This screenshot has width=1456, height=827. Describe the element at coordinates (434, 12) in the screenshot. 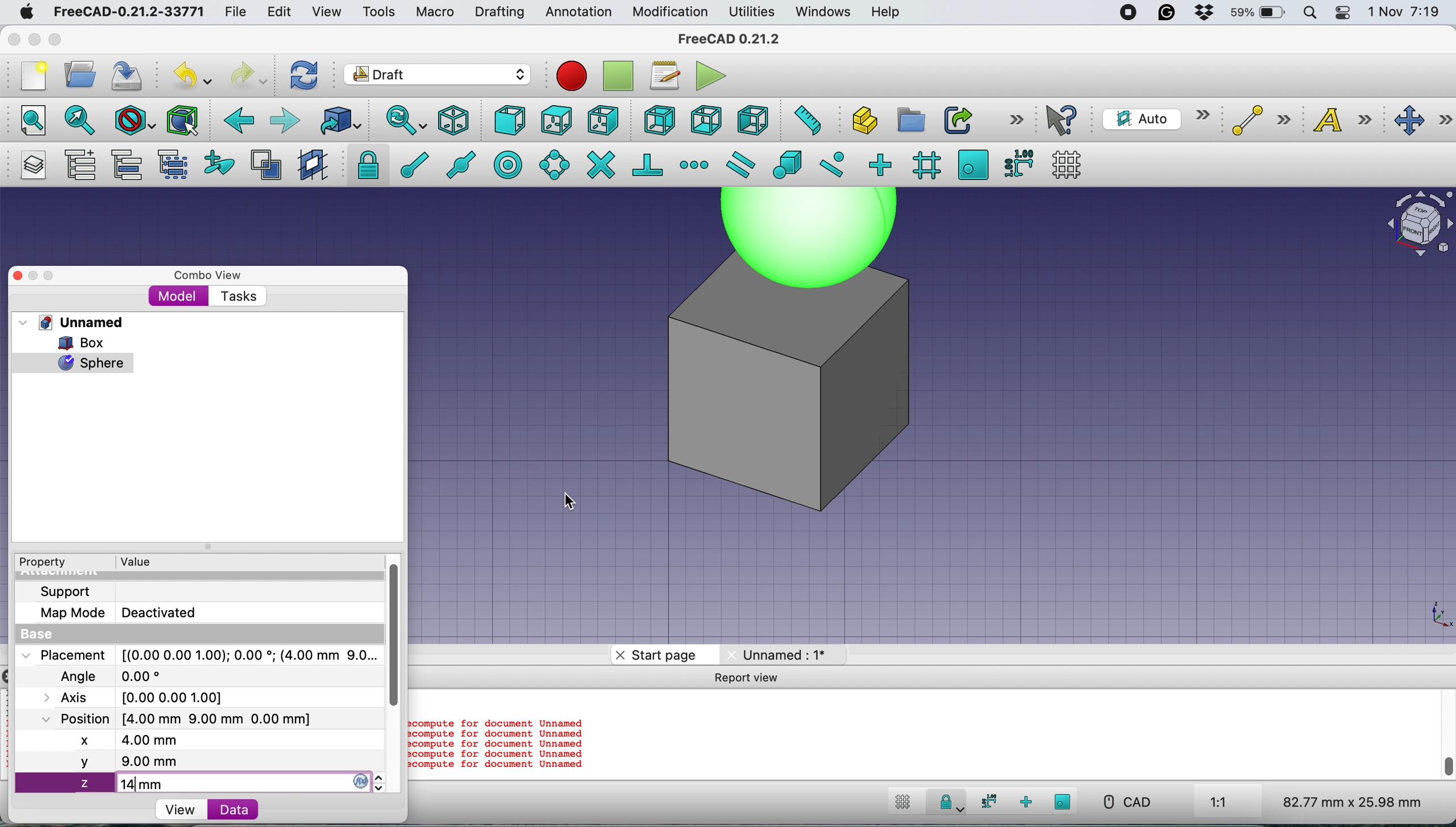

I see `macro` at that location.